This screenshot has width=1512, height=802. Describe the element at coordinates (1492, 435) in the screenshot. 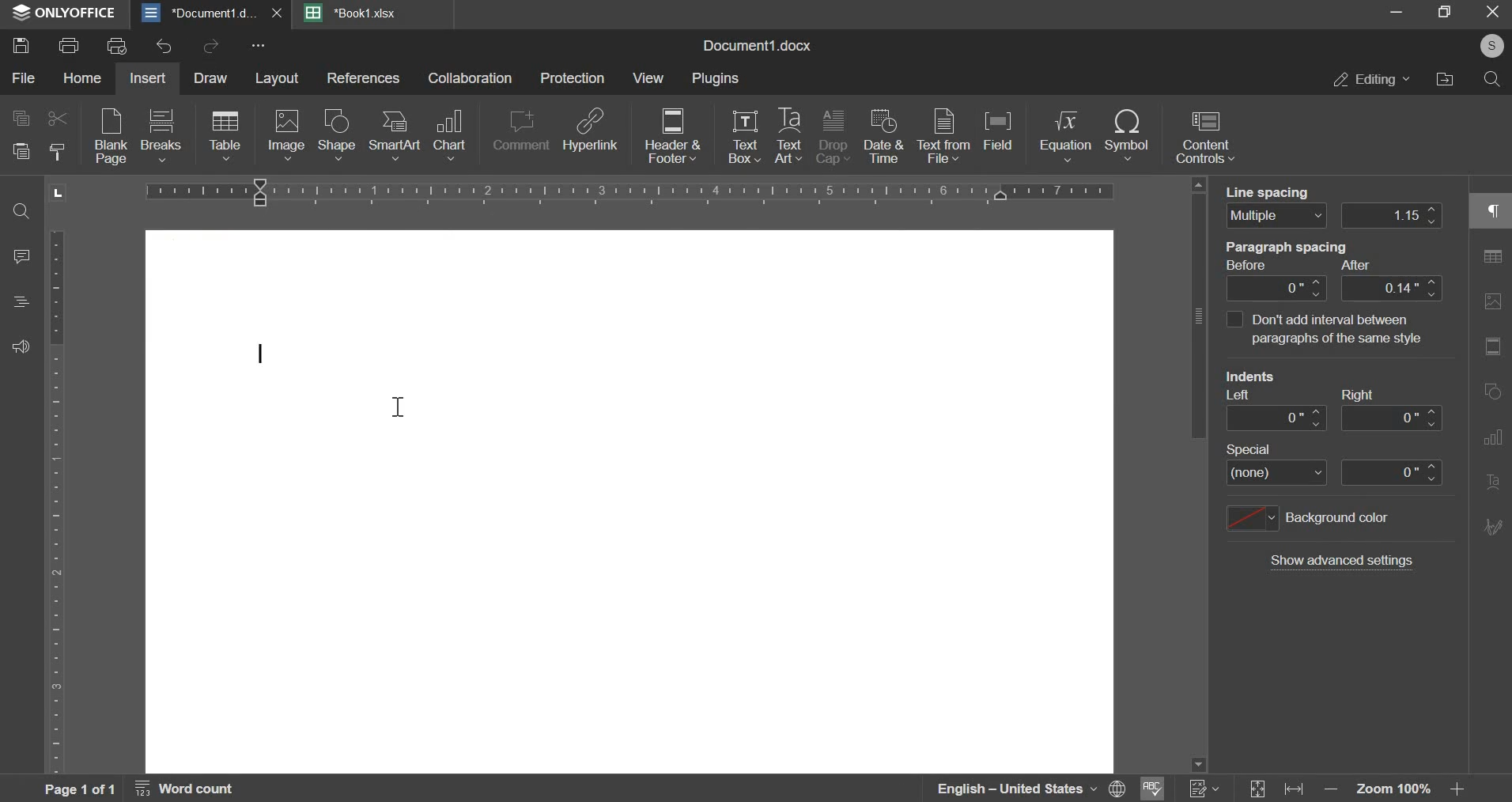

I see `Comment Tool` at that location.